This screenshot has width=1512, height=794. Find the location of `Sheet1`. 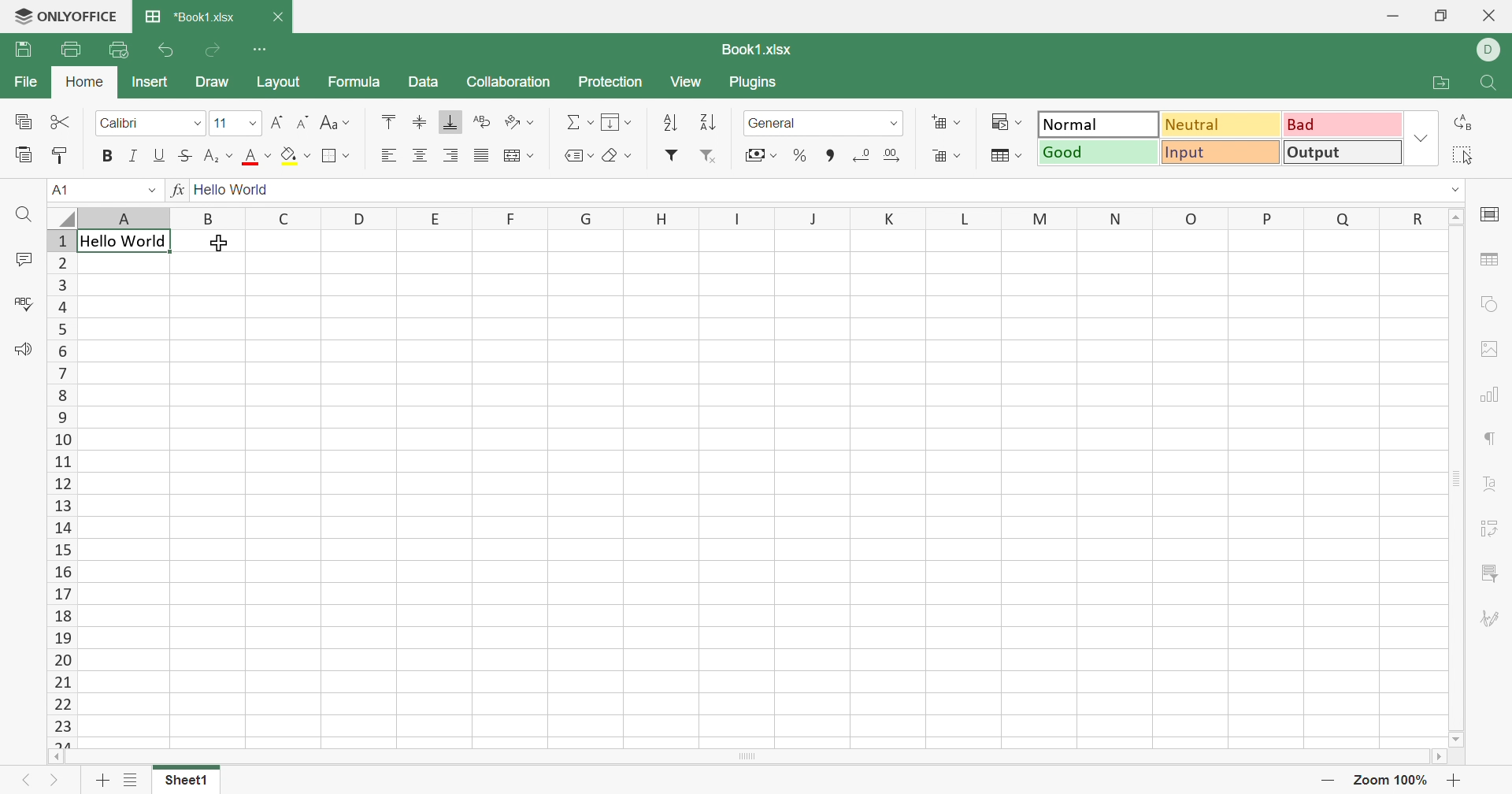

Sheet1 is located at coordinates (187, 781).